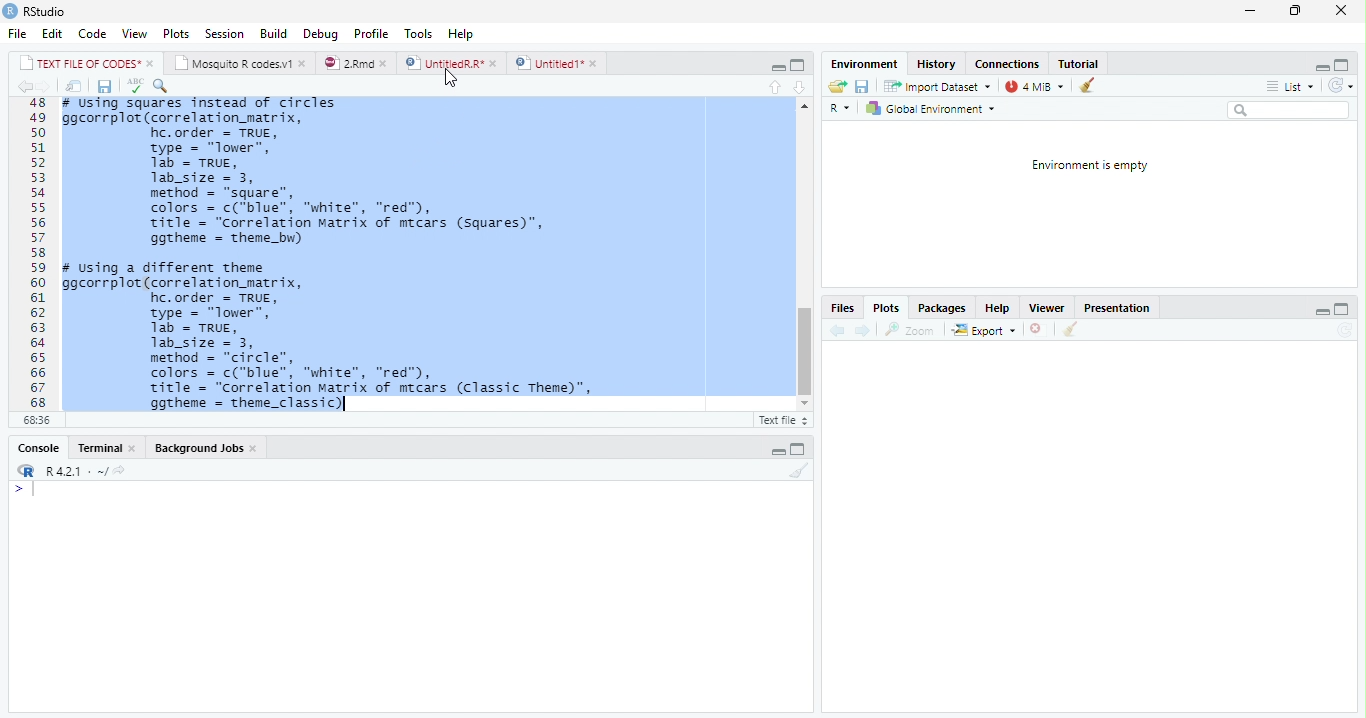  I want to click on clear console, so click(800, 471).